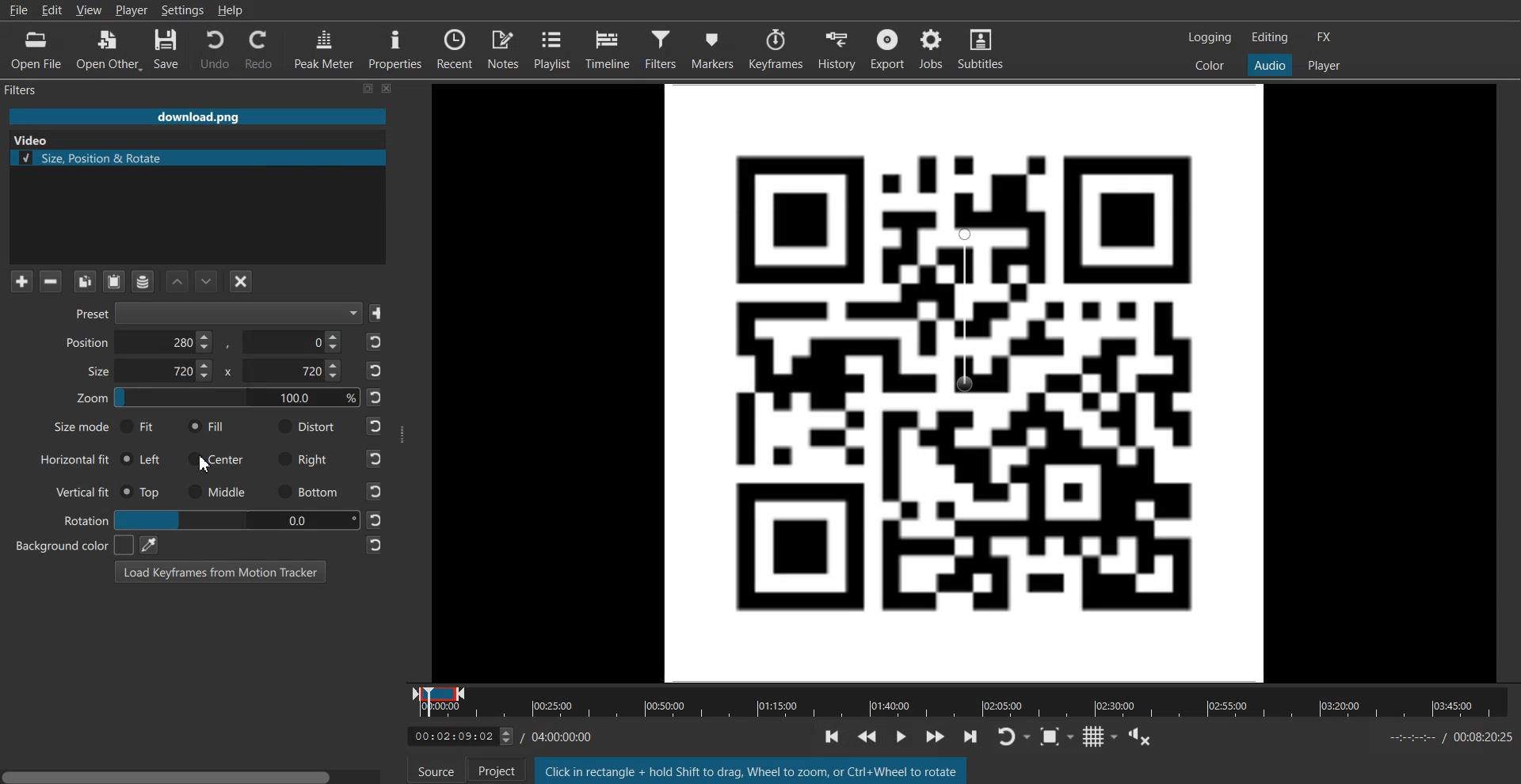  What do you see at coordinates (169, 49) in the screenshot?
I see `Save` at bounding box center [169, 49].